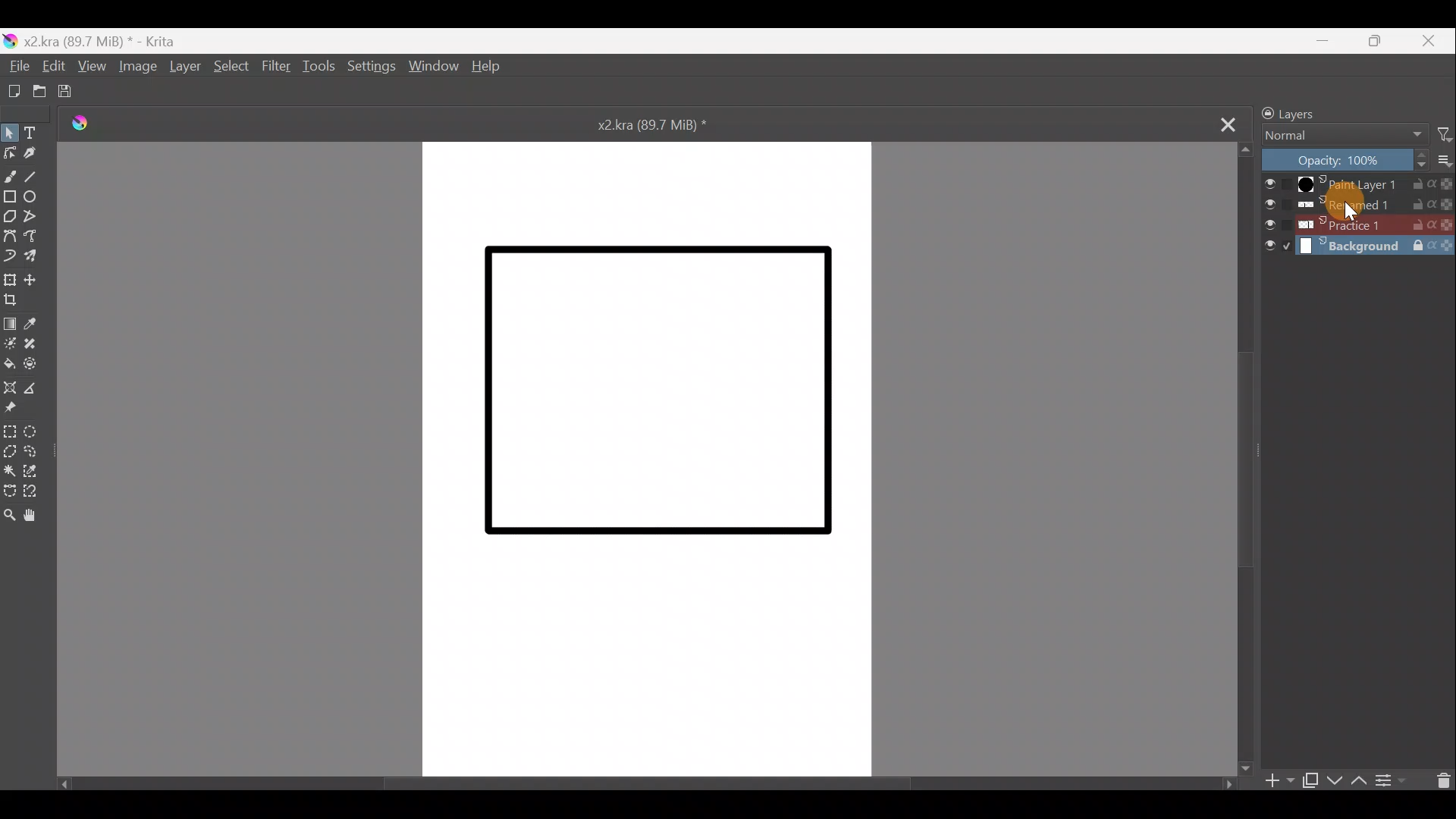 The image size is (1456, 819). Describe the element at coordinates (1263, 113) in the screenshot. I see `Lock/unlock` at that location.